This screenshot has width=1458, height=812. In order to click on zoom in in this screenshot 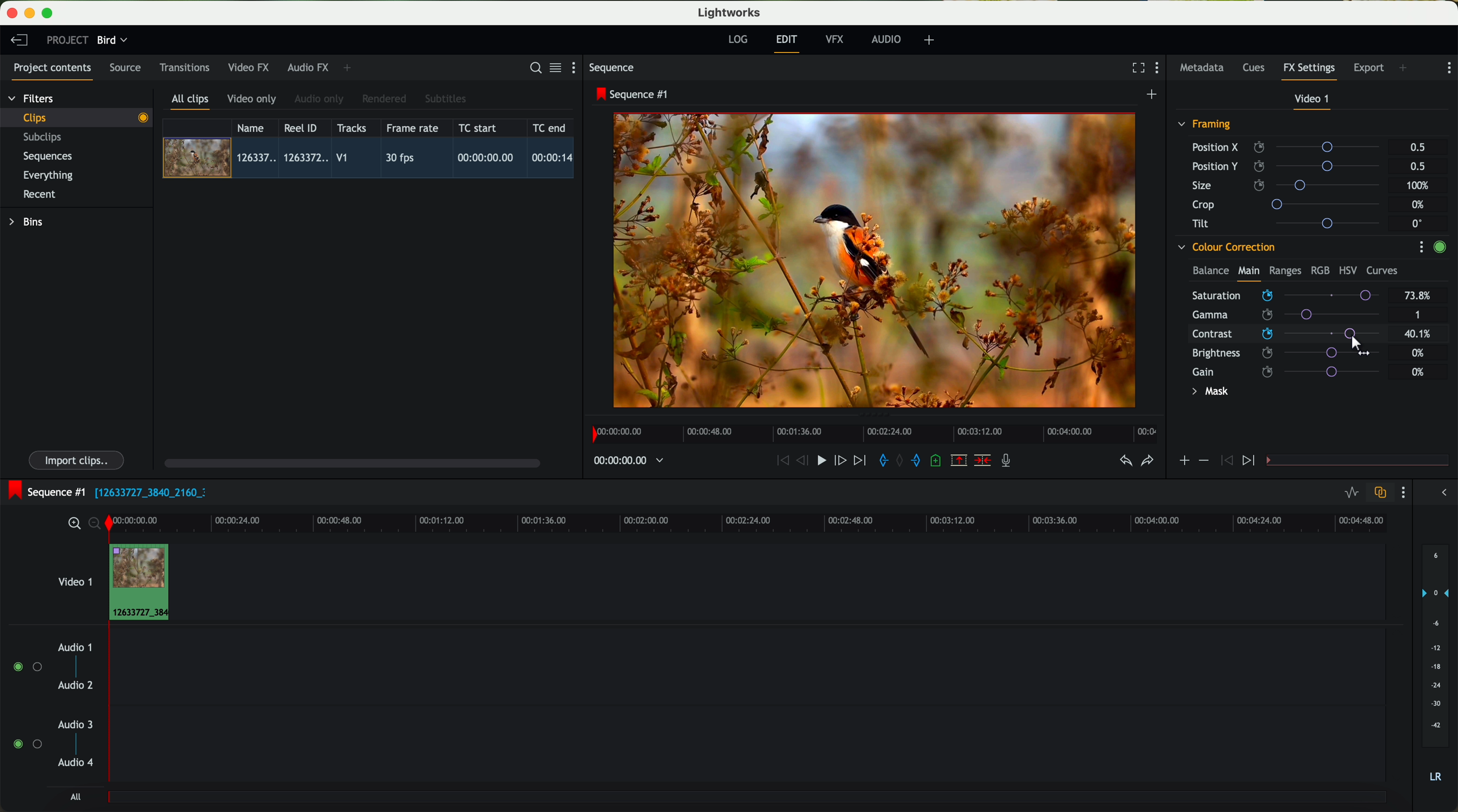, I will do `click(72, 524)`.